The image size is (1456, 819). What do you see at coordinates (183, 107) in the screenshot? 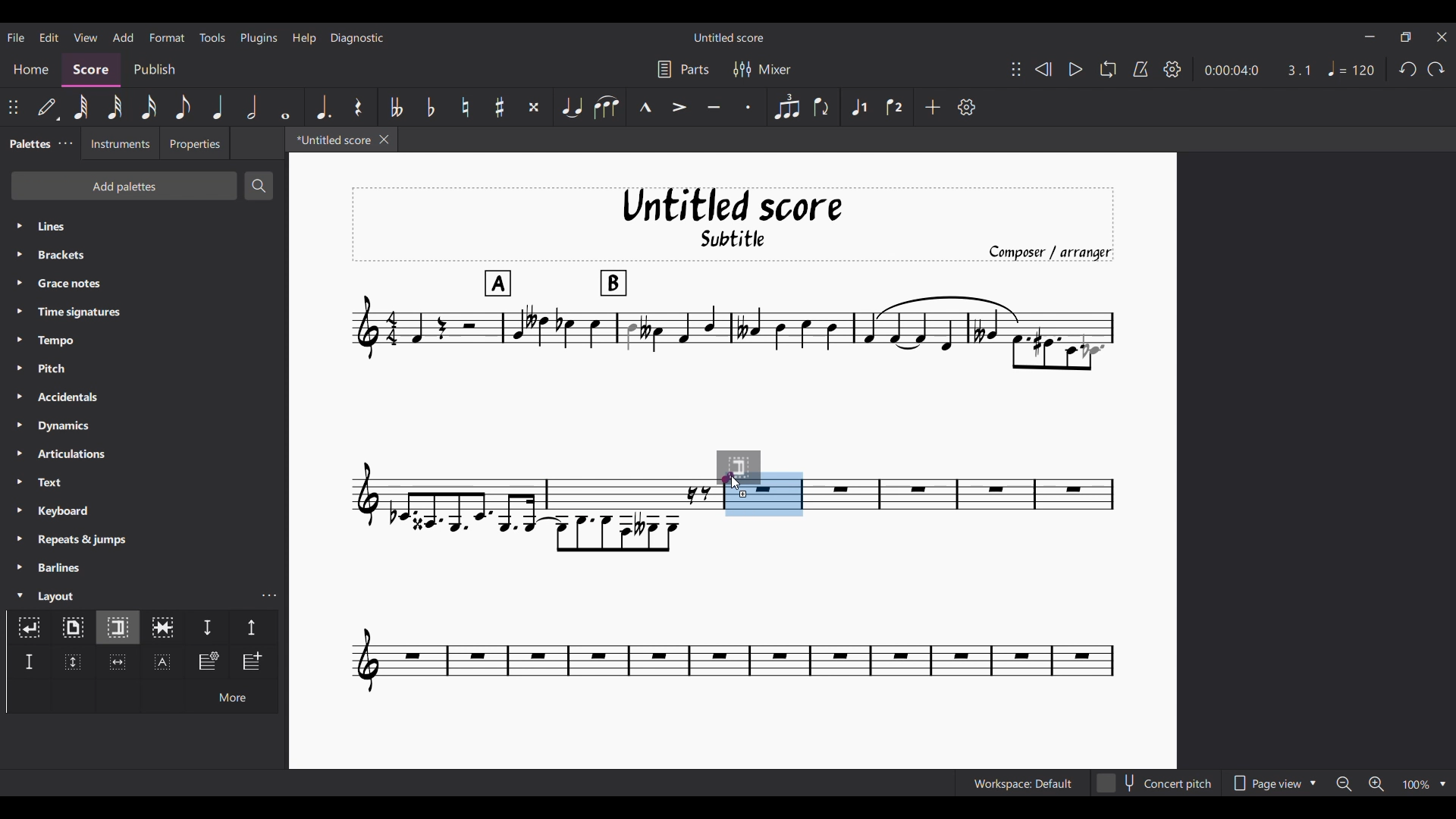
I see `8th note` at bounding box center [183, 107].